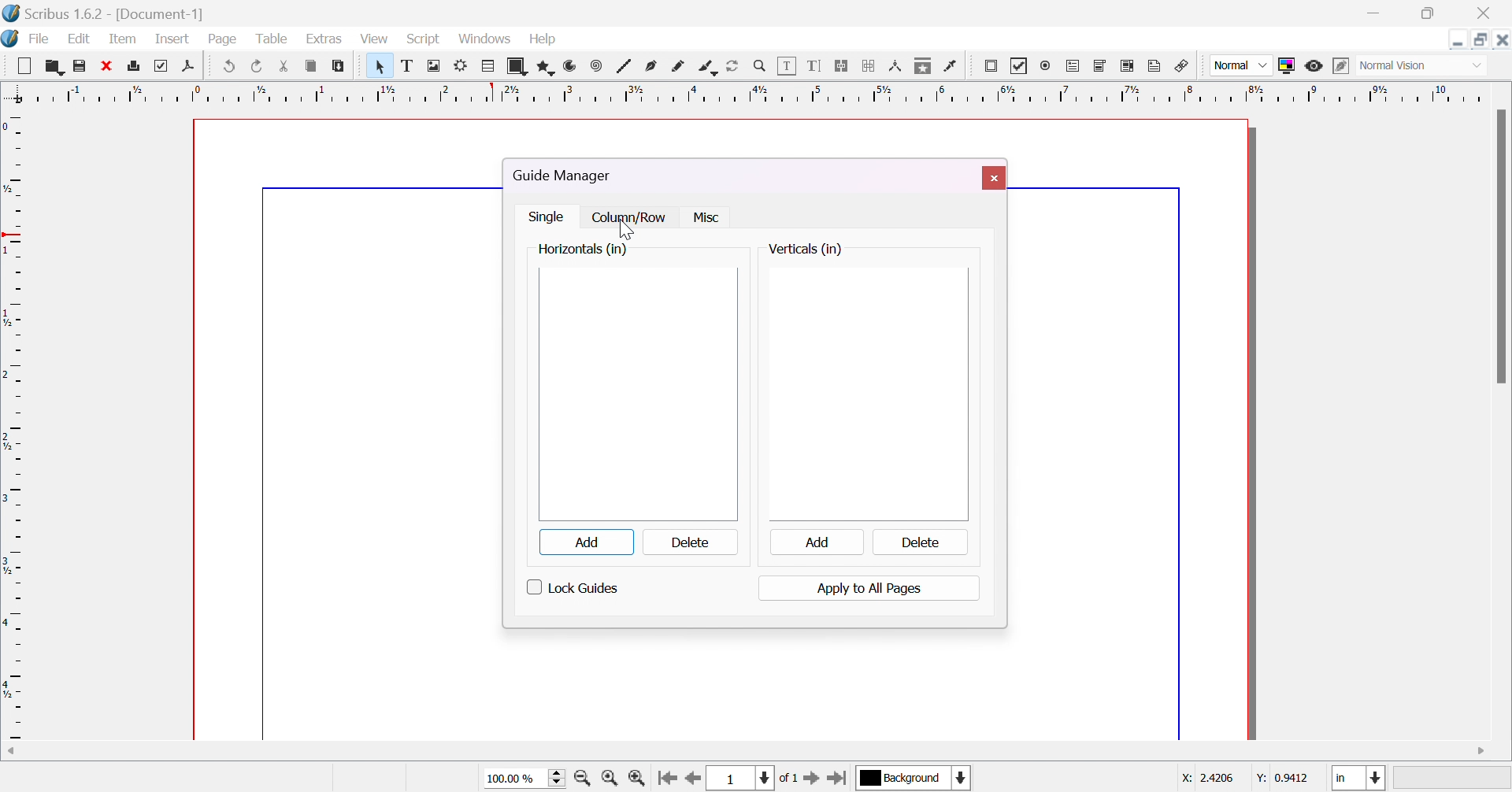  What do you see at coordinates (1314, 66) in the screenshot?
I see `preview  mode` at bounding box center [1314, 66].